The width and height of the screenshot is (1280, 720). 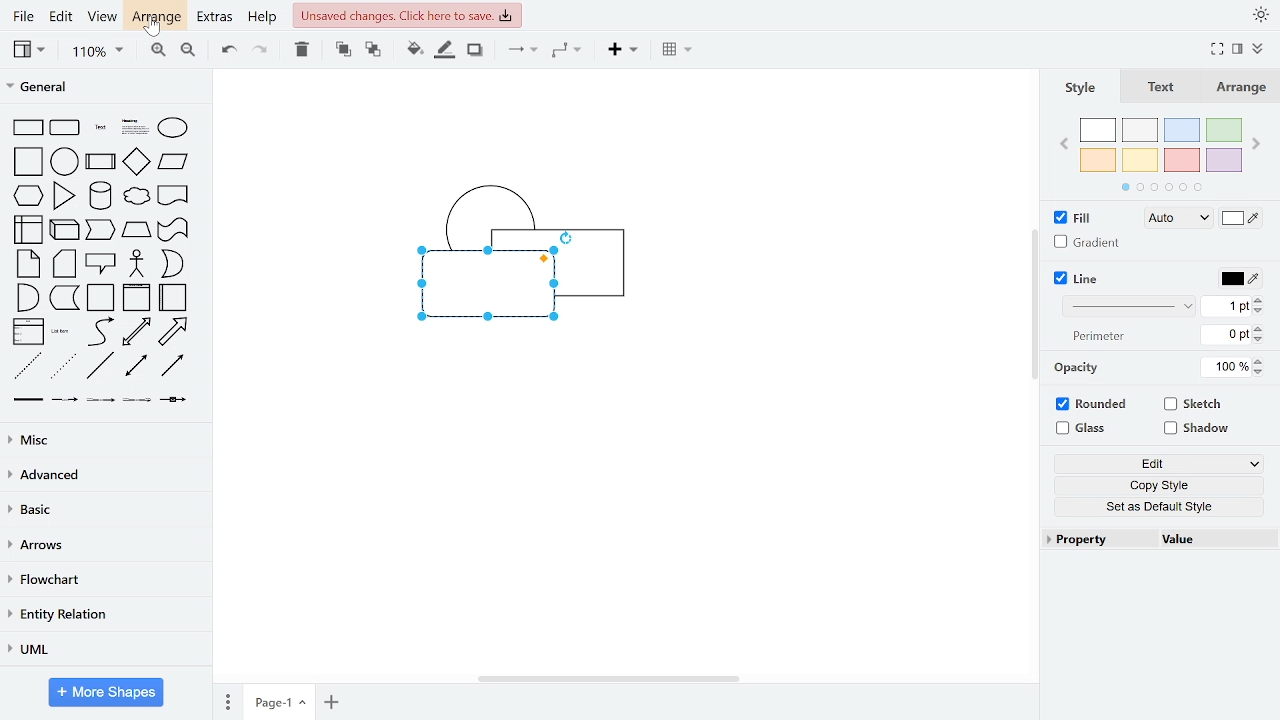 I want to click on arrows, so click(x=105, y=545).